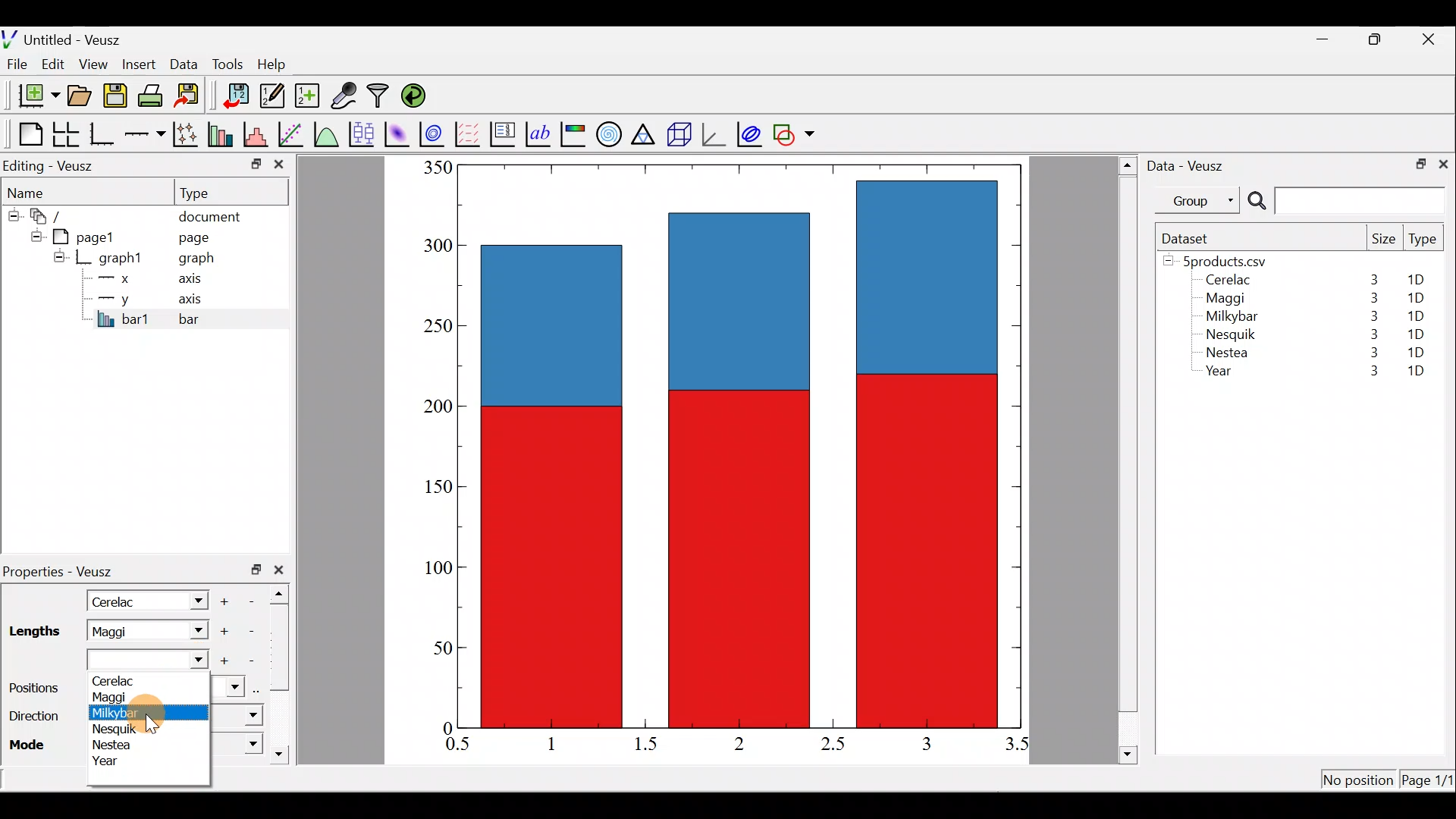 The image size is (1456, 819). Describe the element at coordinates (209, 192) in the screenshot. I see `Type` at that location.